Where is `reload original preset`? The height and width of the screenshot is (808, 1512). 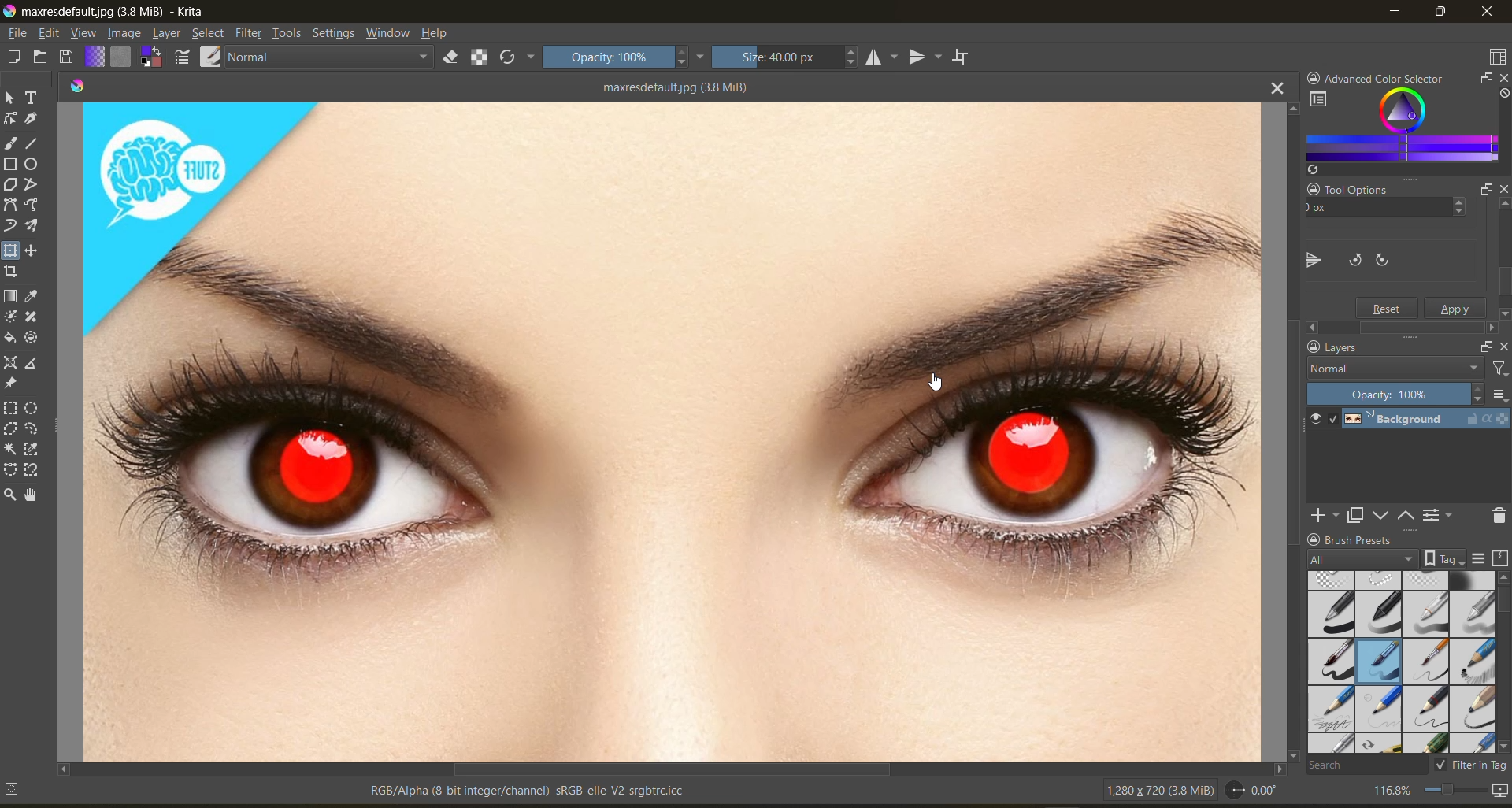
reload original preset is located at coordinates (518, 60).